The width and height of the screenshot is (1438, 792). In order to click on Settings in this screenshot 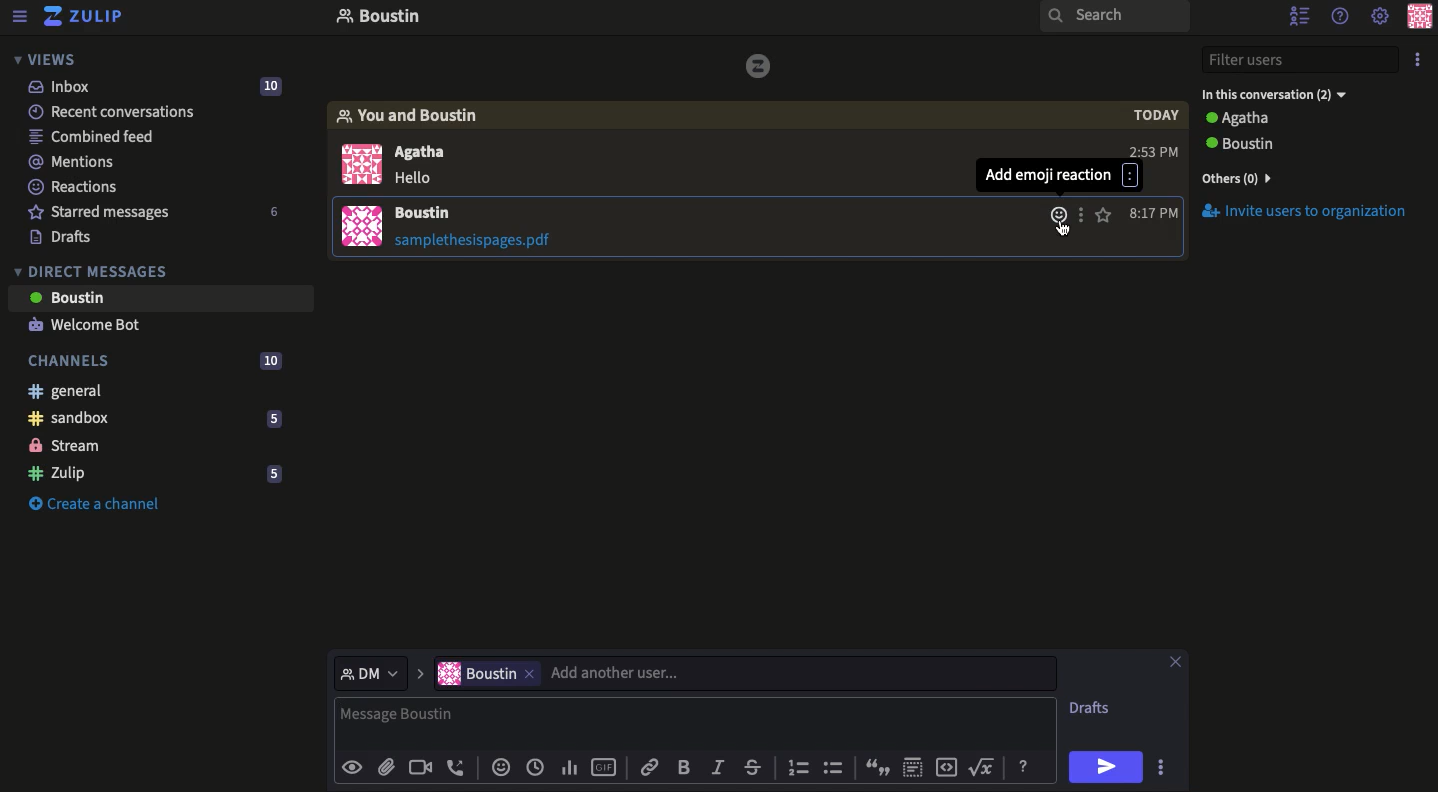, I will do `click(1380, 17)`.